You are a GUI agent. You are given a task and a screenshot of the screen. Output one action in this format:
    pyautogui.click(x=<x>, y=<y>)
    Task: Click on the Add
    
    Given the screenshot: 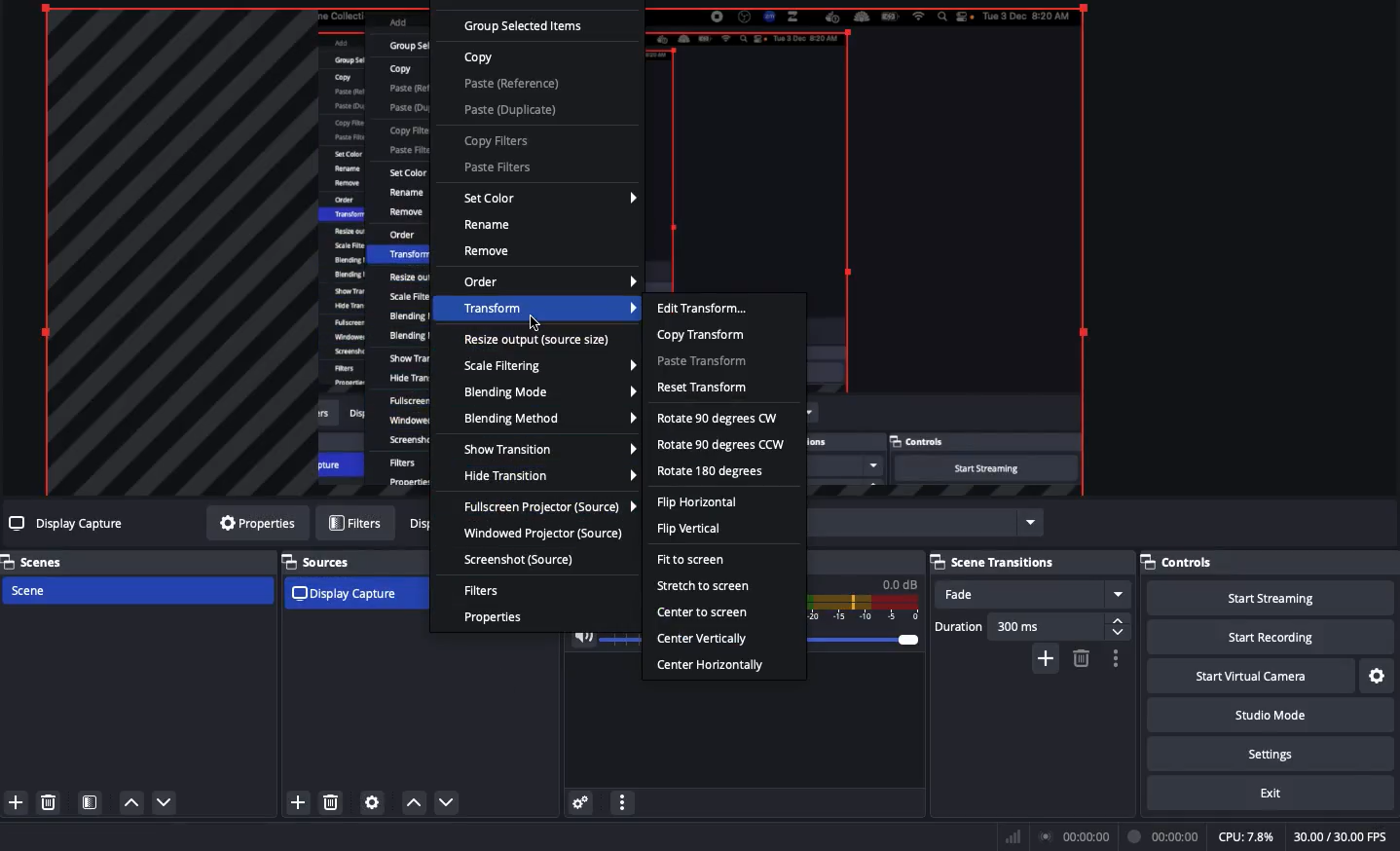 What is the action you would take?
    pyautogui.click(x=18, y=803)
    